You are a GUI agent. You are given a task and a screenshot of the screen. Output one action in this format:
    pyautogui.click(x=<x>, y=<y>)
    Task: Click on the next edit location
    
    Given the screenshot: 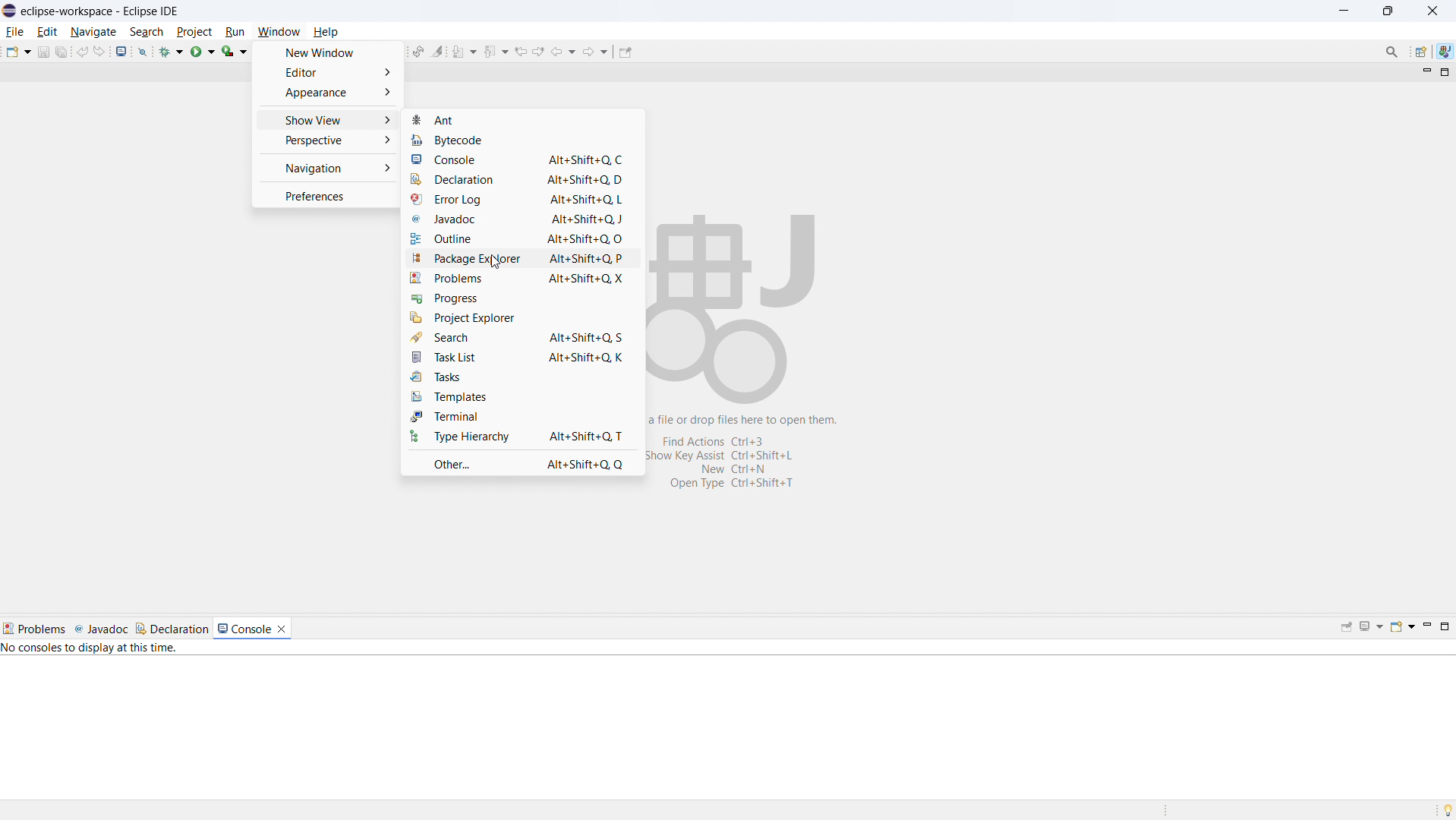 What is the action you would take?
    pyautogui.click(x=538, y=51)
    